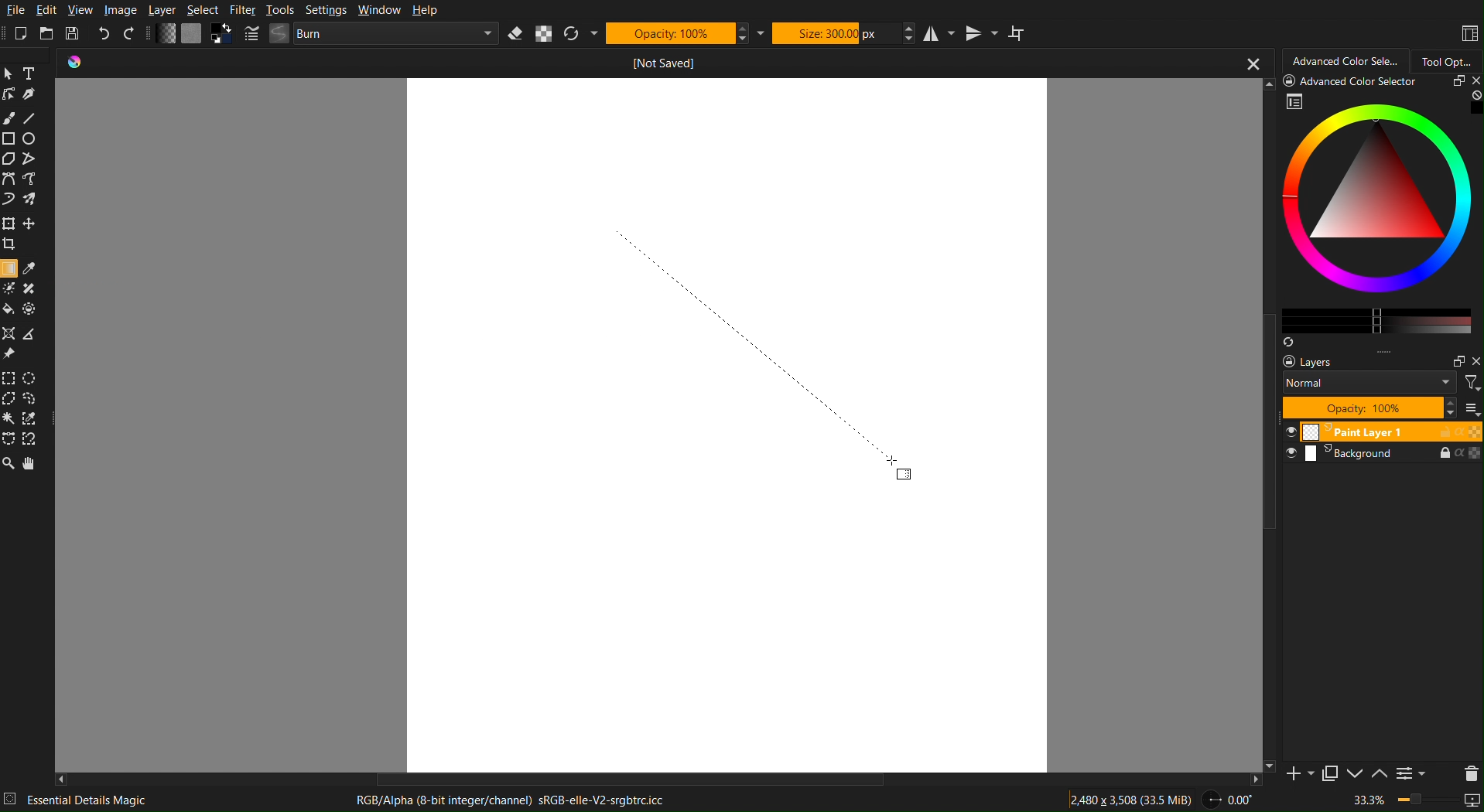 The height and width of the screenshot is (812, 1484). Describe the element at coordinates (518, 33) in the screenshot. I see `Erase` at that location.